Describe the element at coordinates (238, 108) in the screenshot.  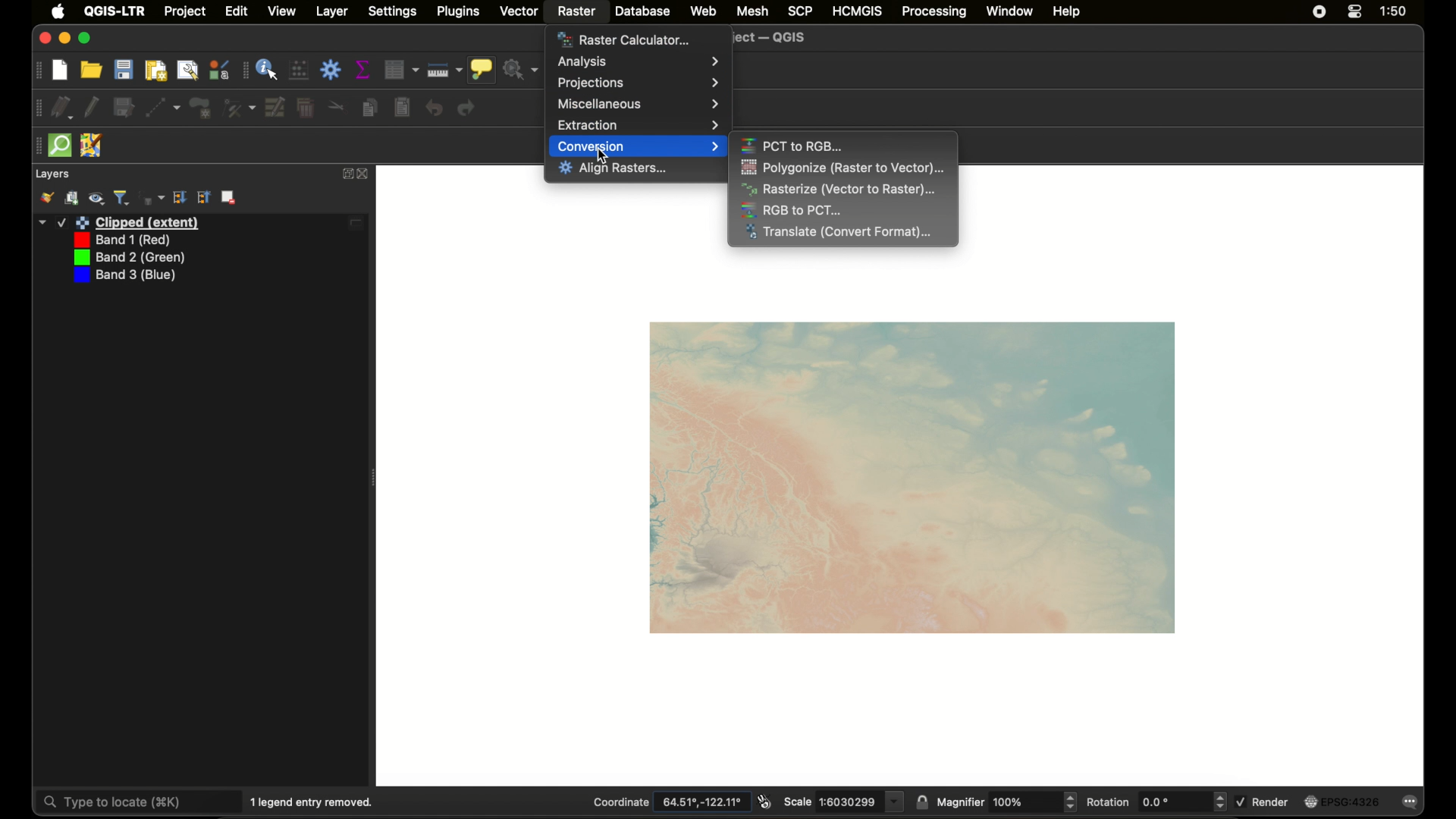
I see `vertex tool` at that location.